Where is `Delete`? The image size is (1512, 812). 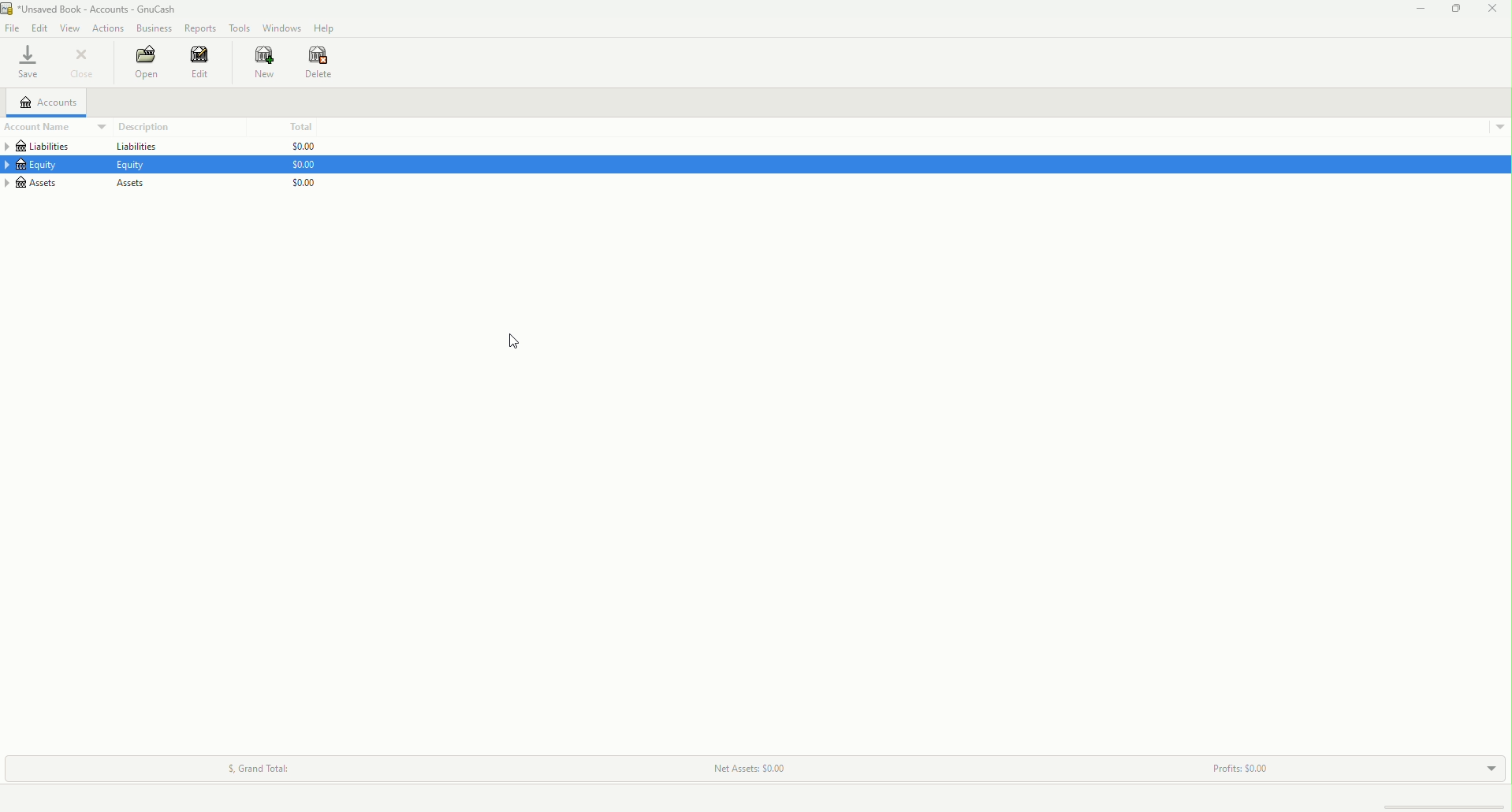 Delete is located at coordinates (322, 62).